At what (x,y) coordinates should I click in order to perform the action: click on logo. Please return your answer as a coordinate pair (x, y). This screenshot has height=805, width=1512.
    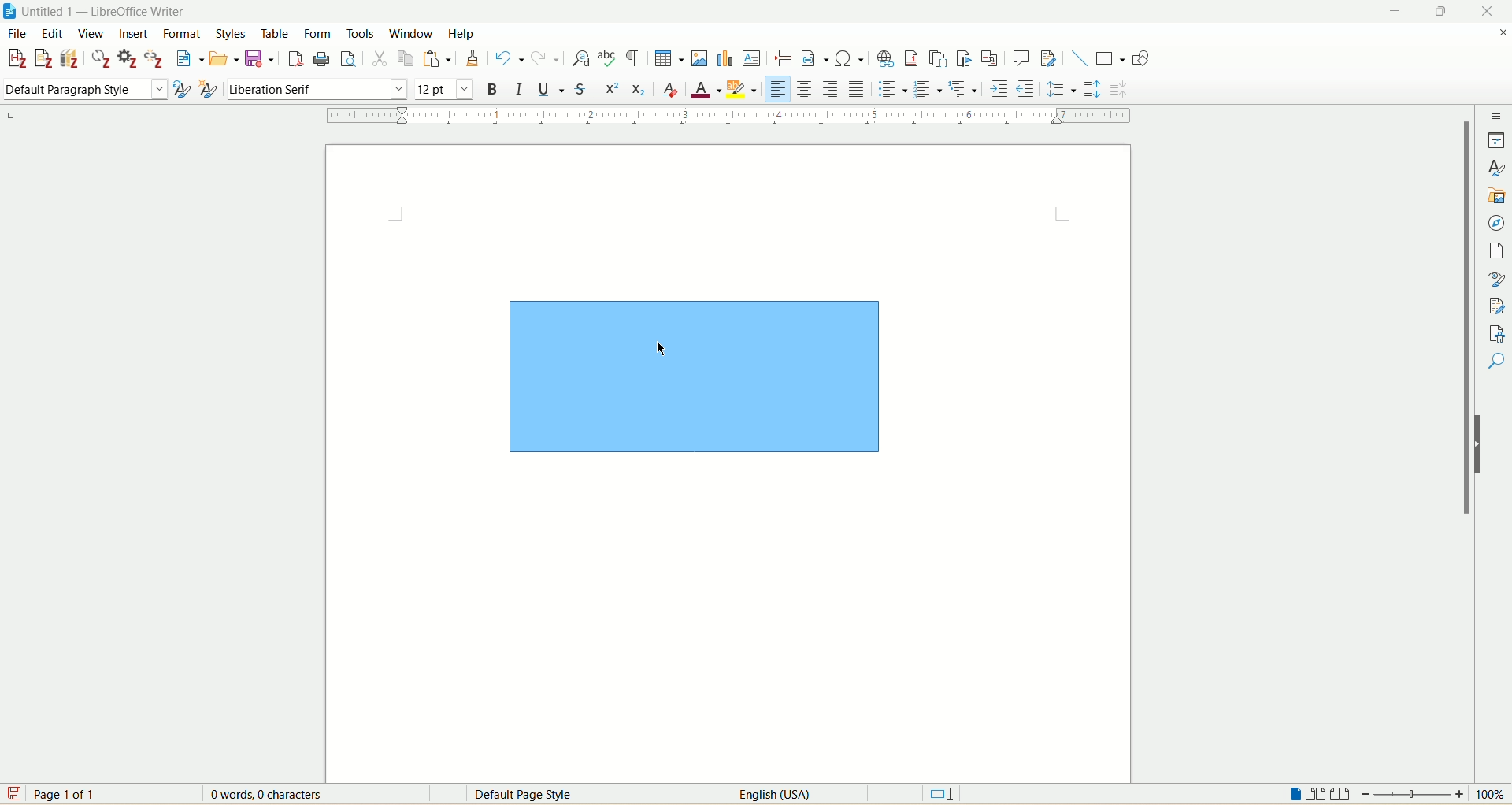
    Looking at the image, I should click on (9, 12).